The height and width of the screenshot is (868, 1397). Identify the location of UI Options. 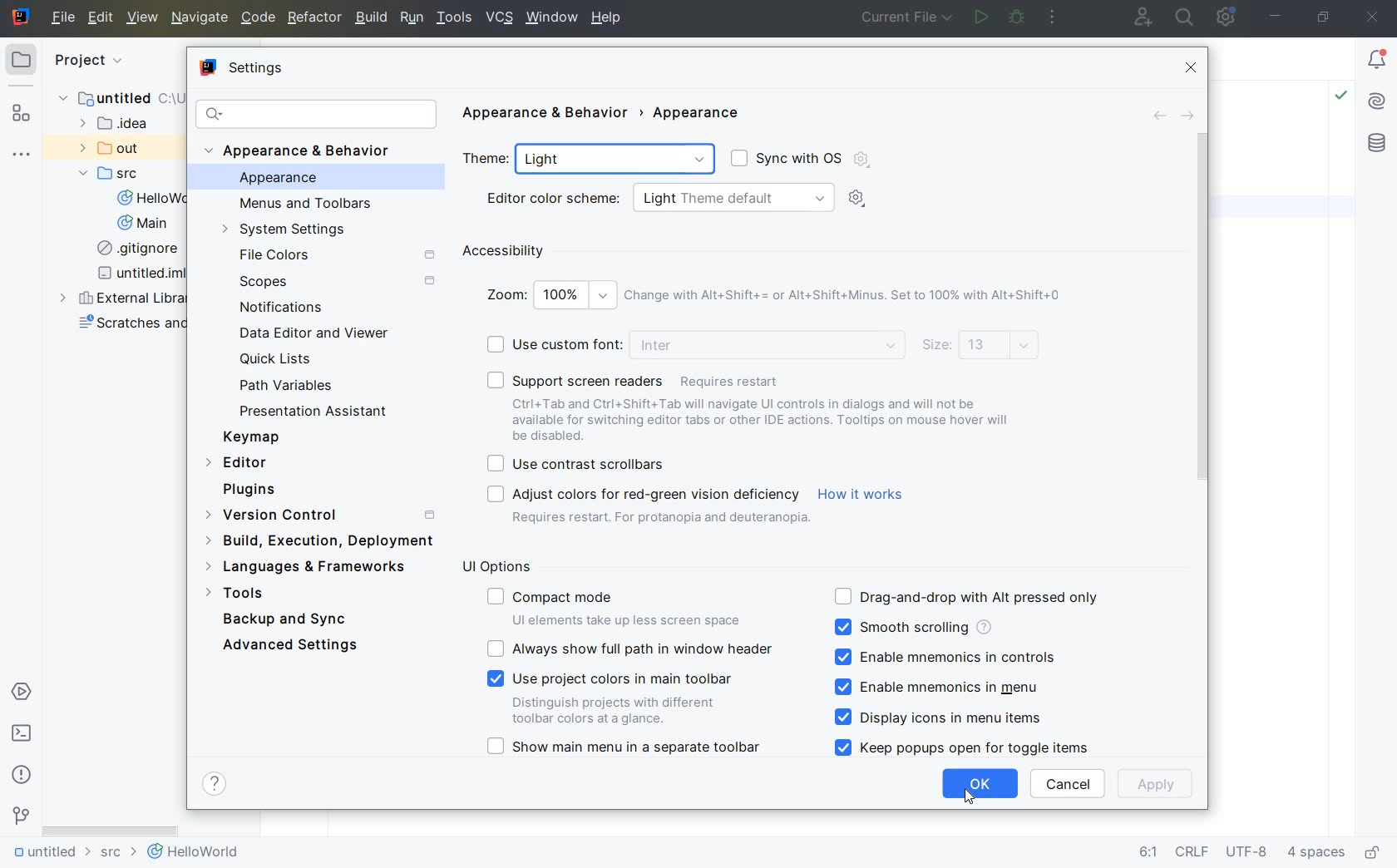
(503, 567).